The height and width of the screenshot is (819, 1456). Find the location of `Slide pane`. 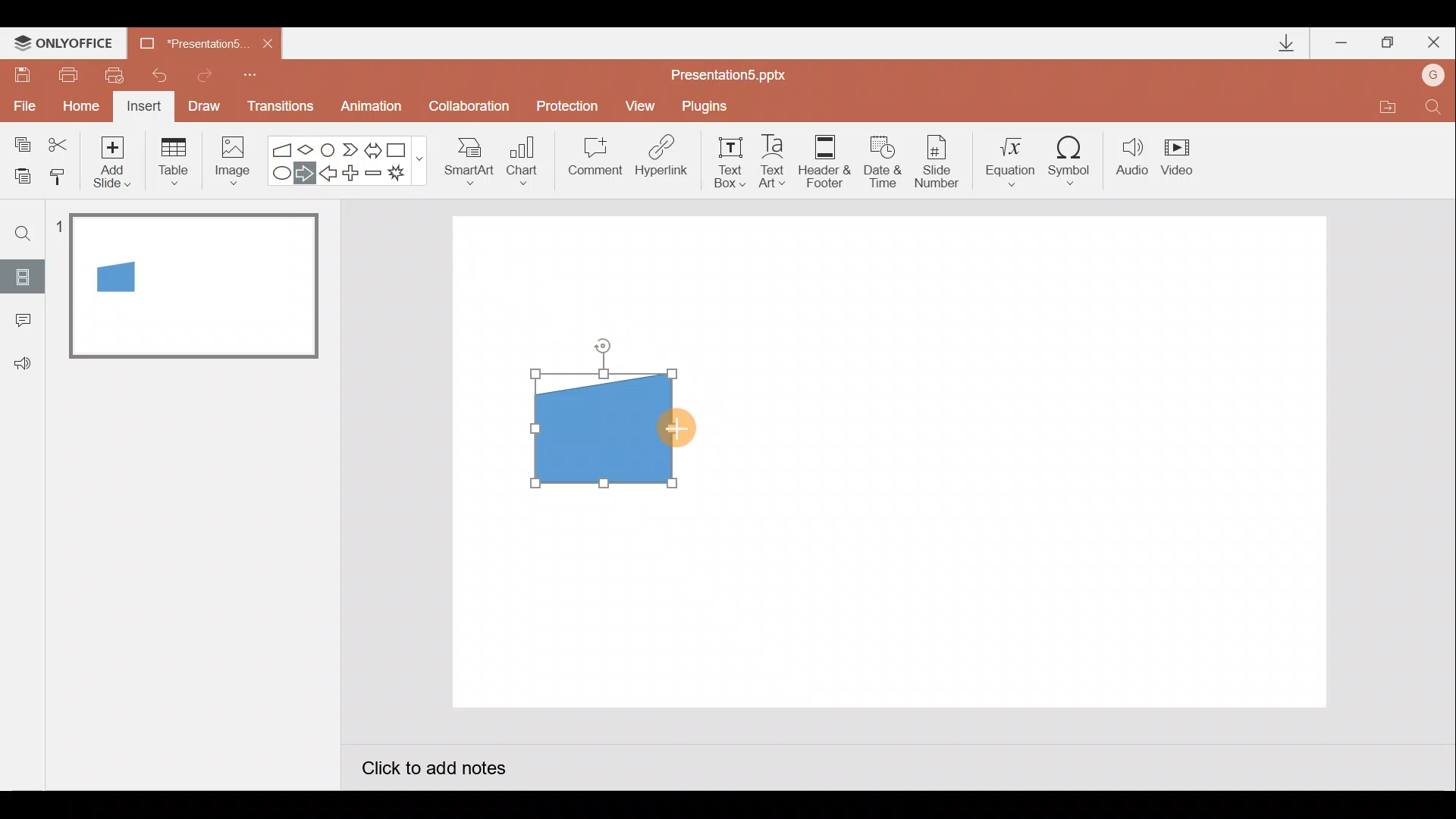

Slide pane is located at coordinates (196, 439).